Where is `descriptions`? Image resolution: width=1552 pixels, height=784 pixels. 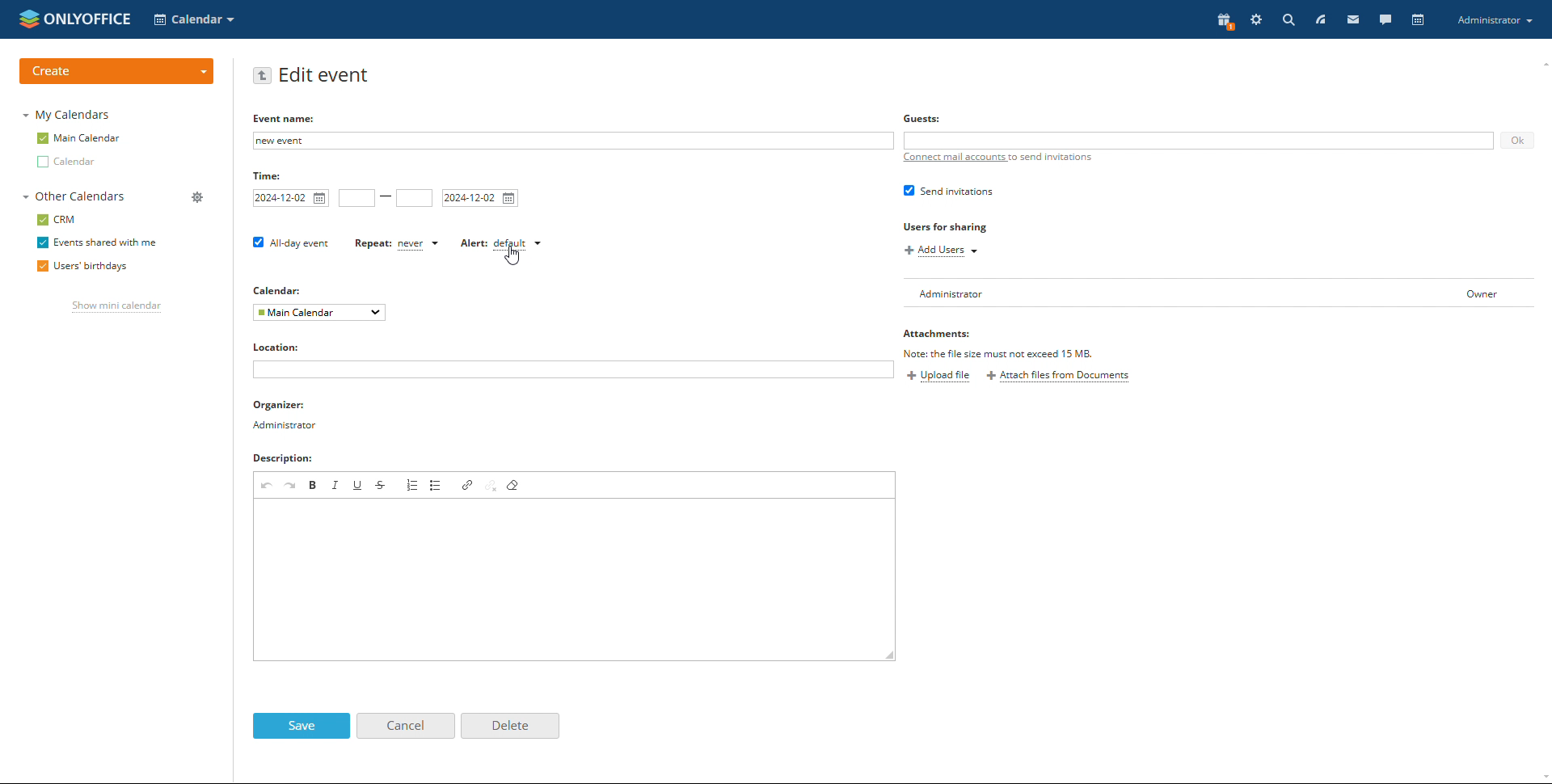
descriptions is located at coordinates (290, 461).